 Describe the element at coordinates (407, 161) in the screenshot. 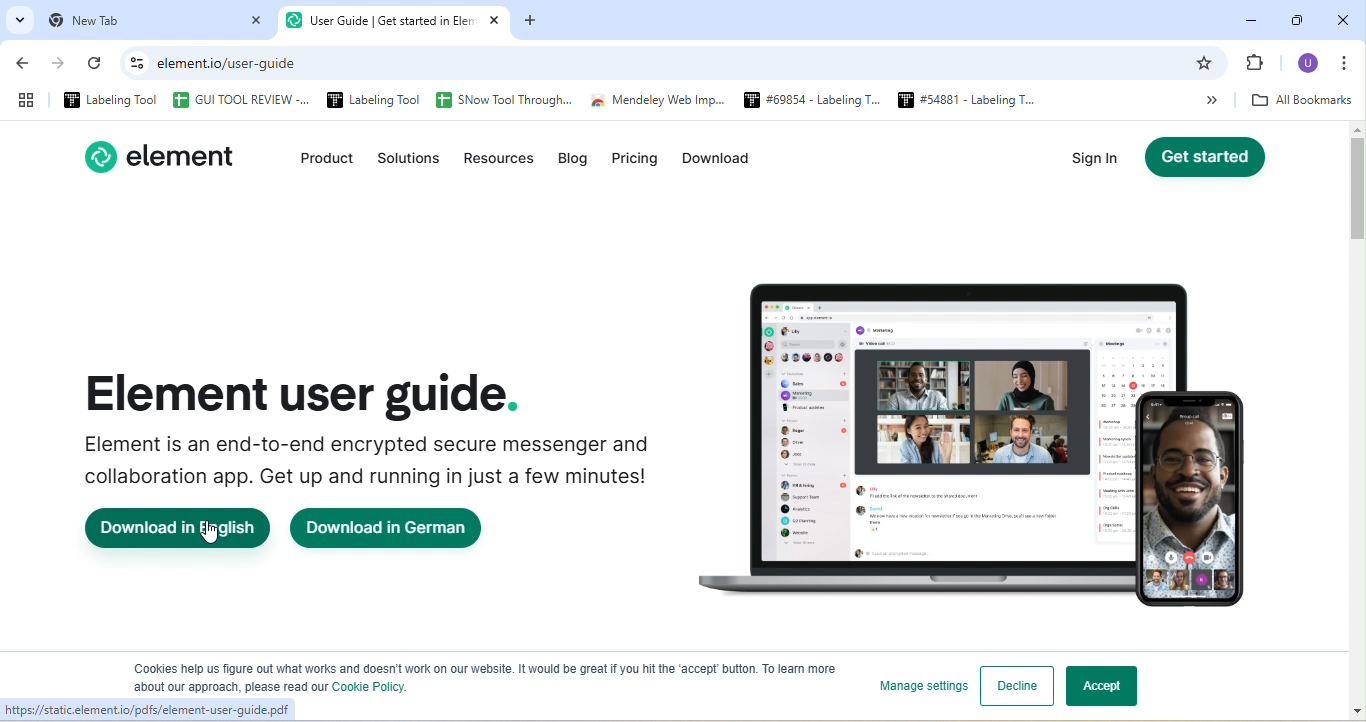

I see `solution` at that location.